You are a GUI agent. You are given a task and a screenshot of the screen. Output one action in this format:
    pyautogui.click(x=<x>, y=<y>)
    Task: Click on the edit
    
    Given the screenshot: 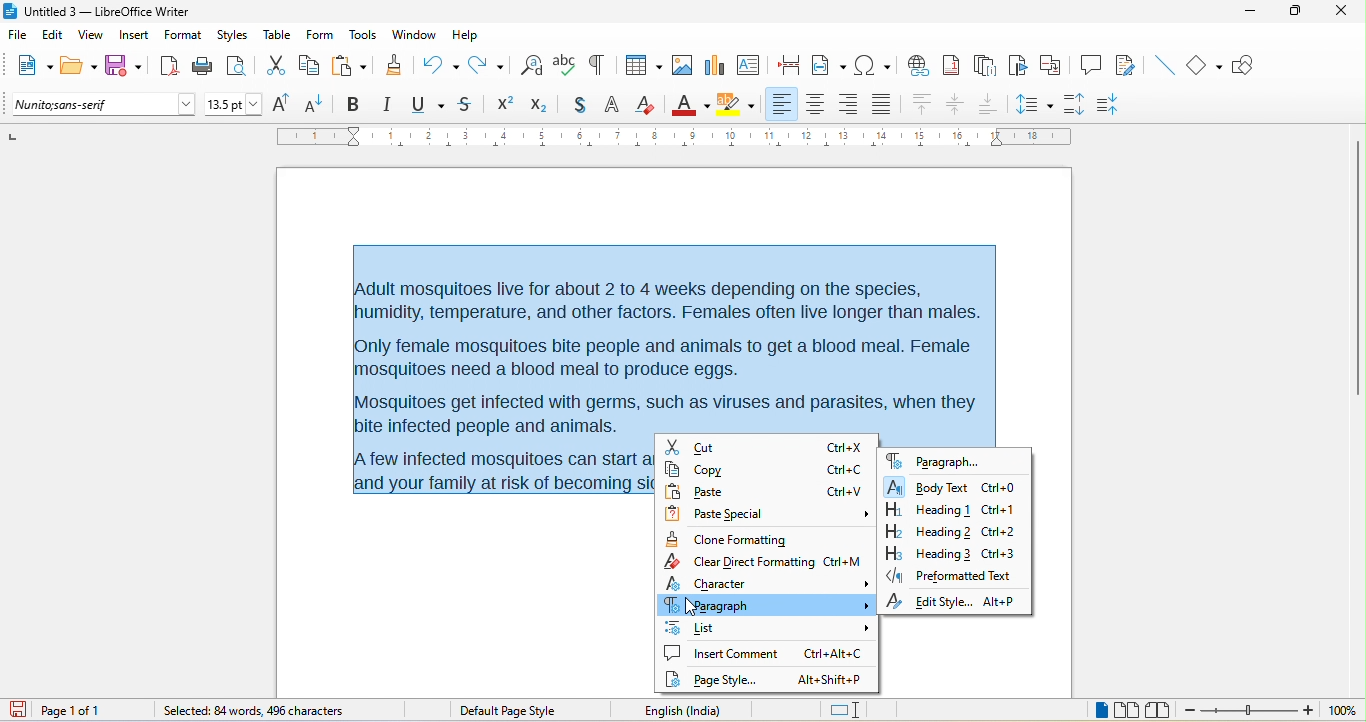 What is the action you would take?
    pyautogui.click(x=54, y=38)
    